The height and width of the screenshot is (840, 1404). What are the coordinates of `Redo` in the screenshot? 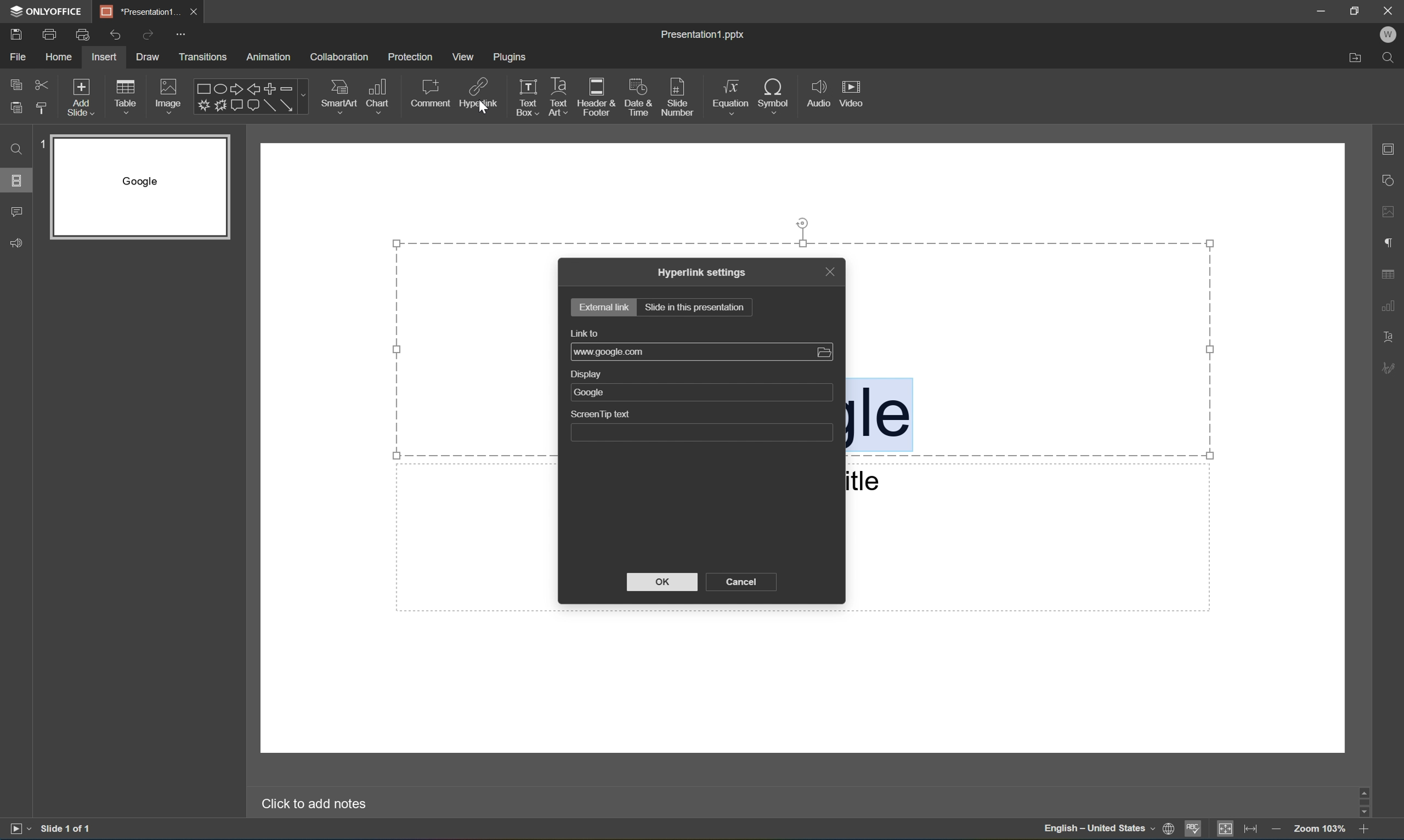 It's located at (148, 35).